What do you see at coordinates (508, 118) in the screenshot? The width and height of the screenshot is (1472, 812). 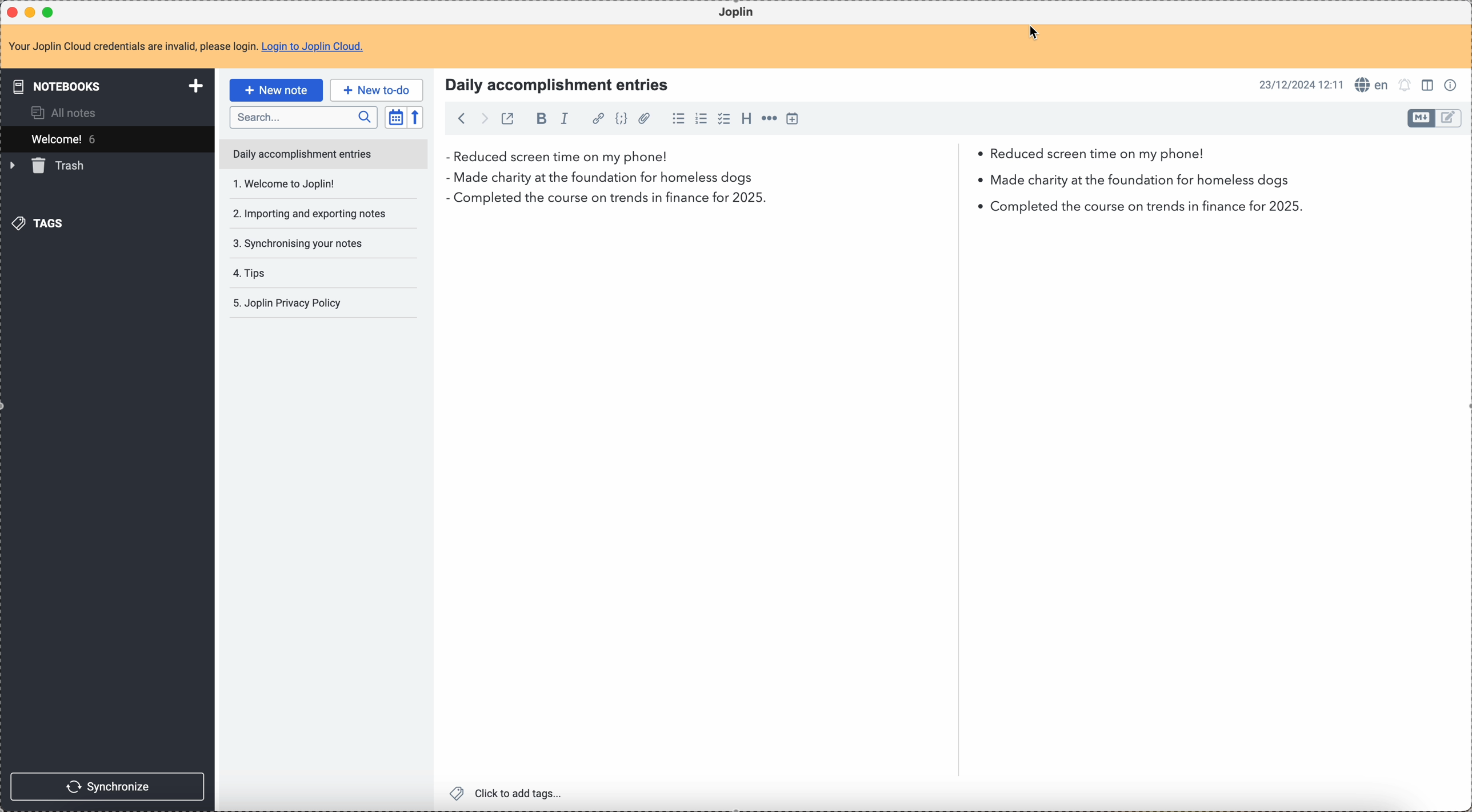 I see `toggle external editing` at bounding box center [508, 118].